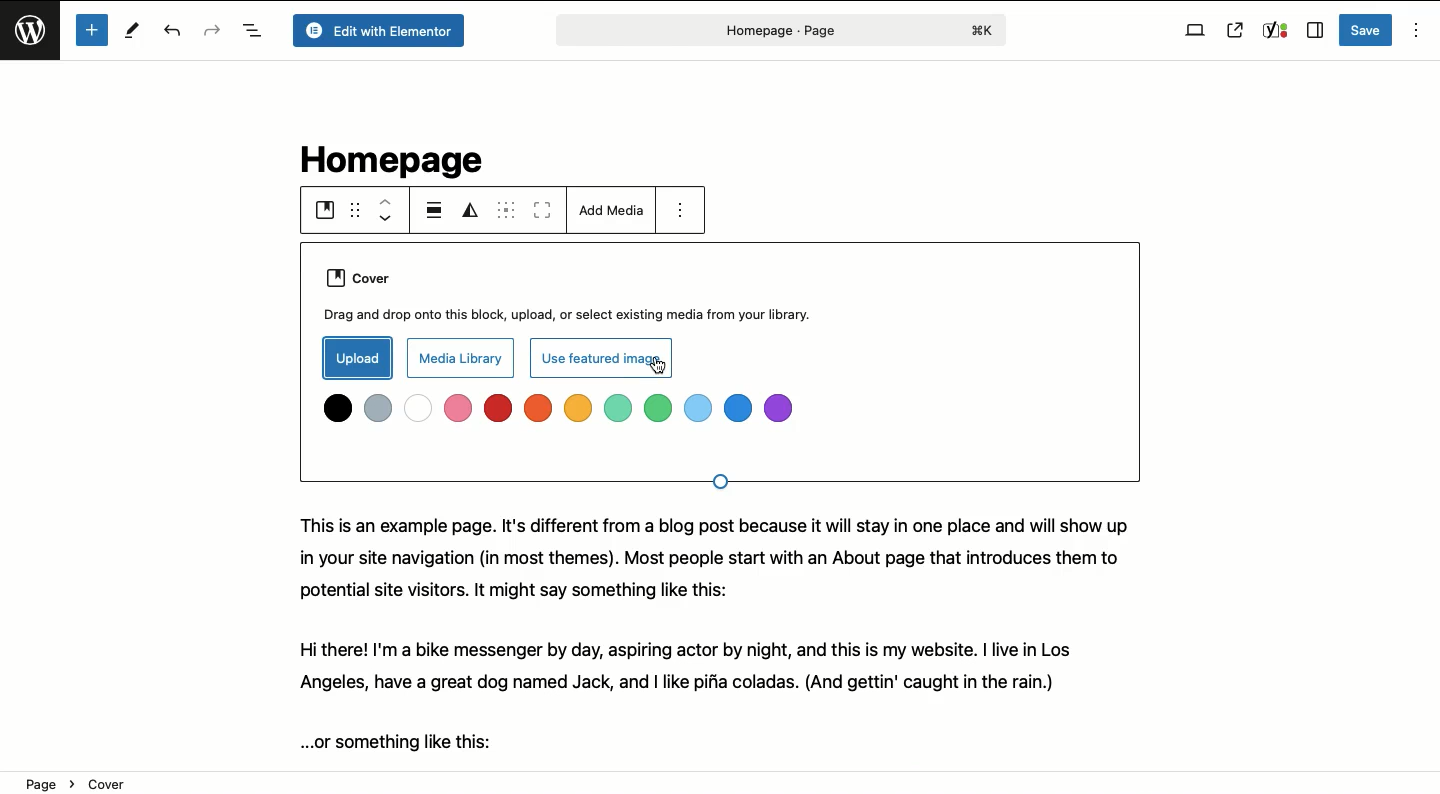 The height and width of the screenshot is (794, 1440). What do you see at coordinates (252, 32) in the screenshot?
I see `Document overview` at bounding box center [252, 32].